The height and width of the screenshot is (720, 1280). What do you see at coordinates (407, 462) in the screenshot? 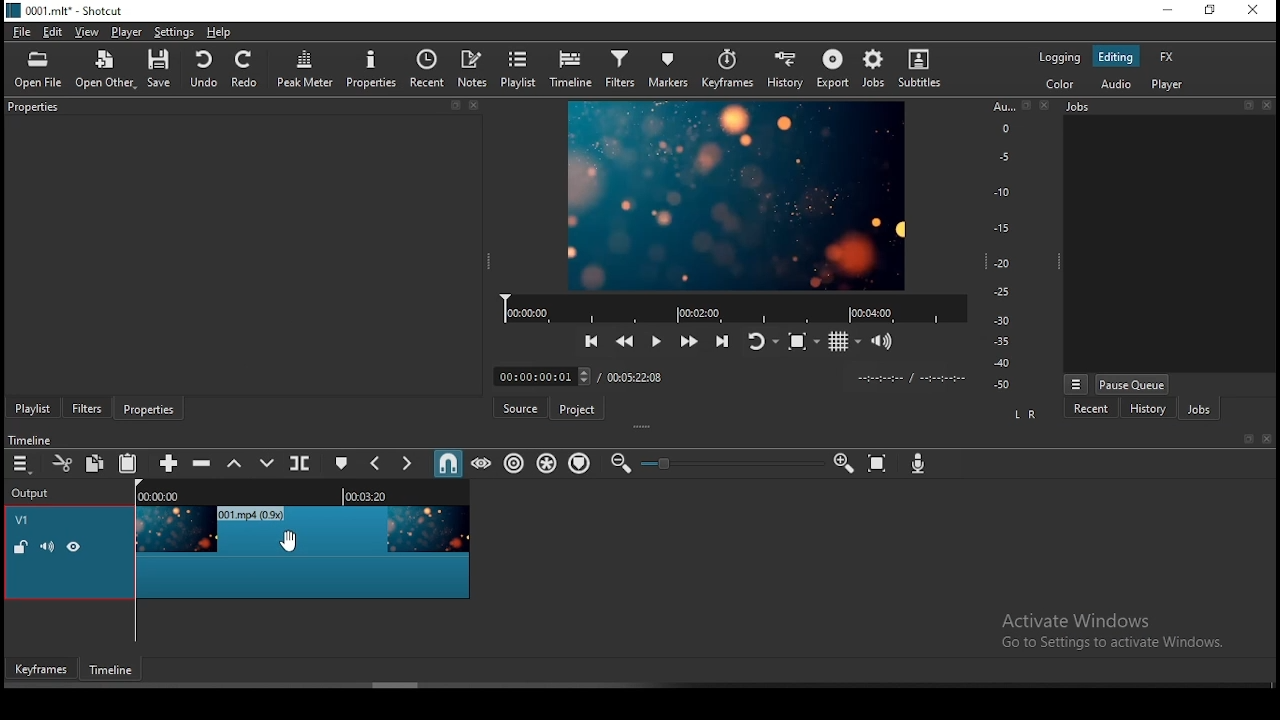
I see `next marker` at bounding box center [407, 462].